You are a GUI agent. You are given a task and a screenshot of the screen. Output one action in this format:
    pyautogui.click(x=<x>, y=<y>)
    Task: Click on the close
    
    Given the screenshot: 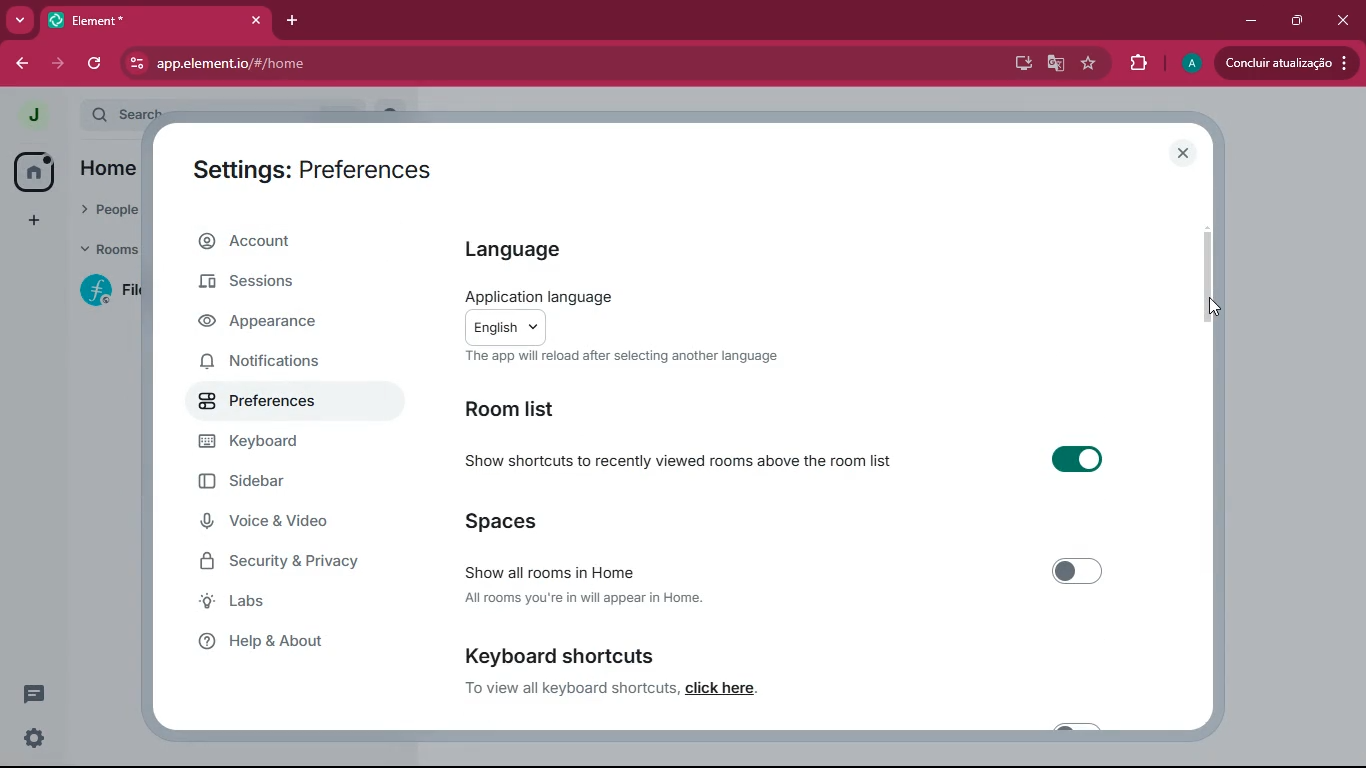 What is the action you would take?
    pyautogui.click(x=1345, y=24)
    